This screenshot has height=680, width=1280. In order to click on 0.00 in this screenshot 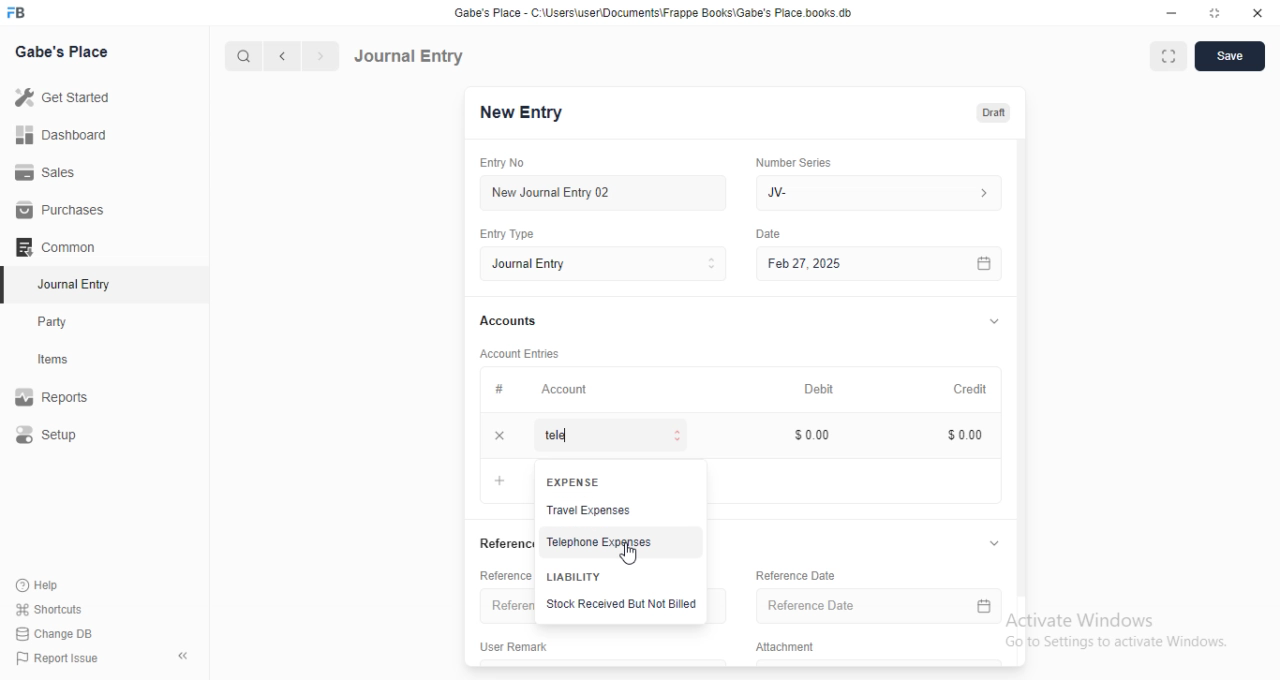, I will do `click(958, 436)`.